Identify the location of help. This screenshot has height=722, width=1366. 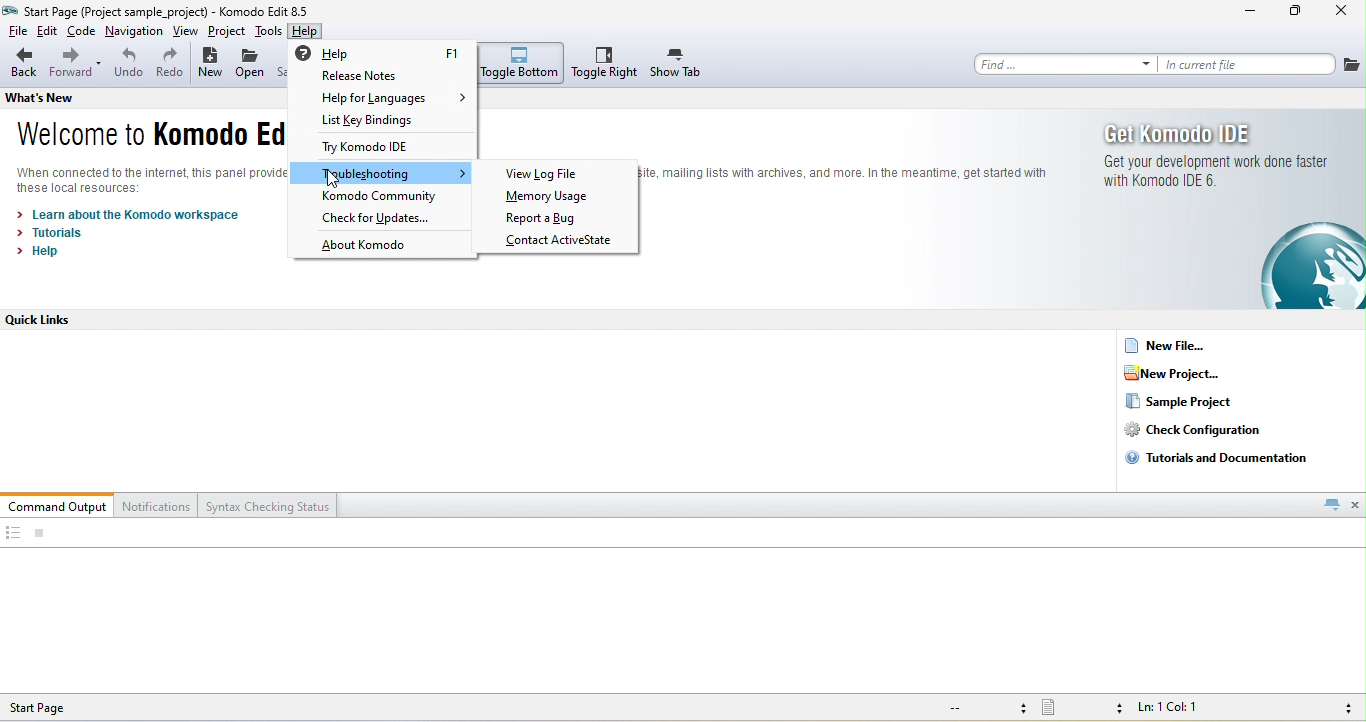
(306, 31).